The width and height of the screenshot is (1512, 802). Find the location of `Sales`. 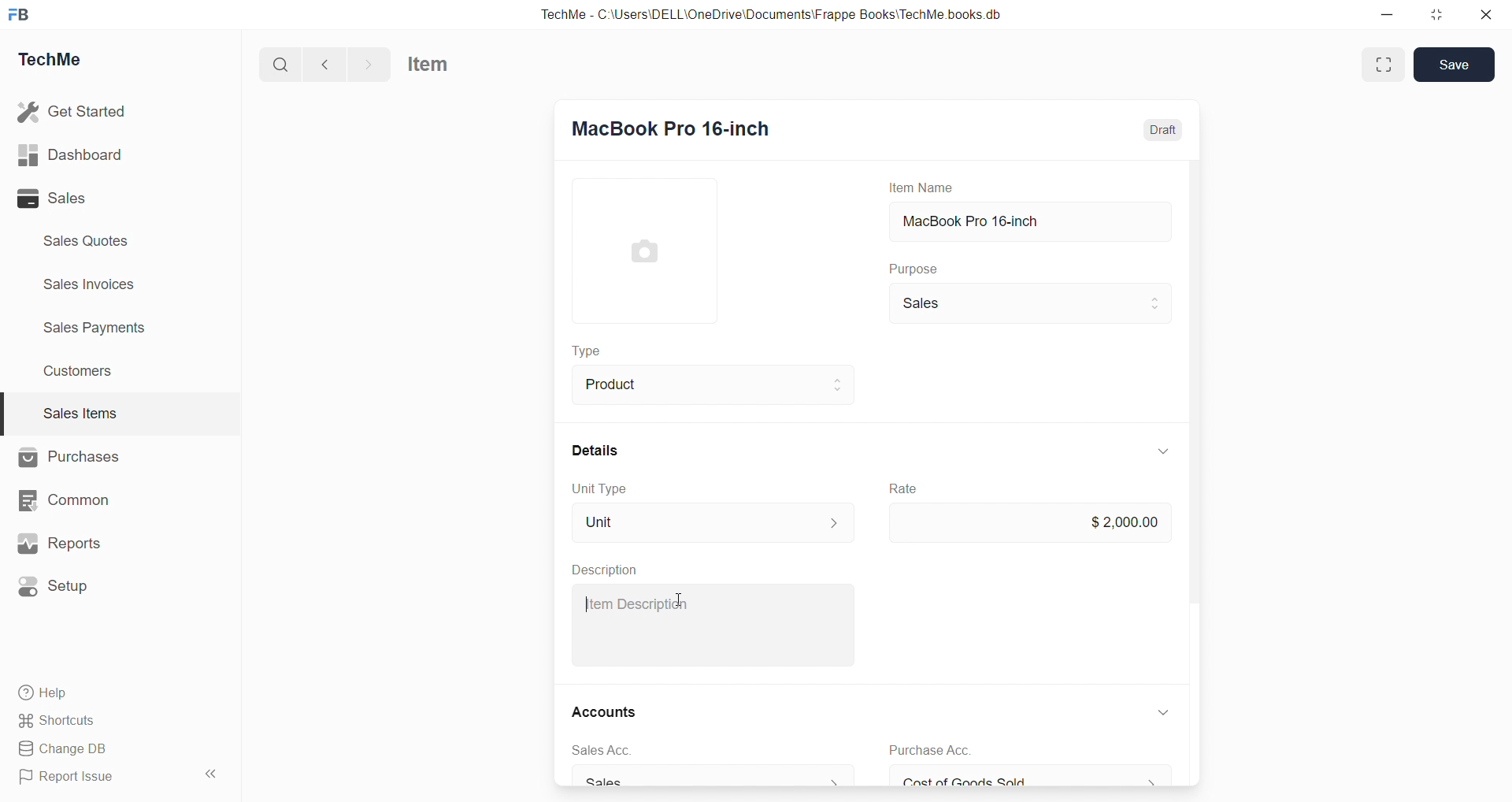

Sales is located at coordinates (1028, 304).